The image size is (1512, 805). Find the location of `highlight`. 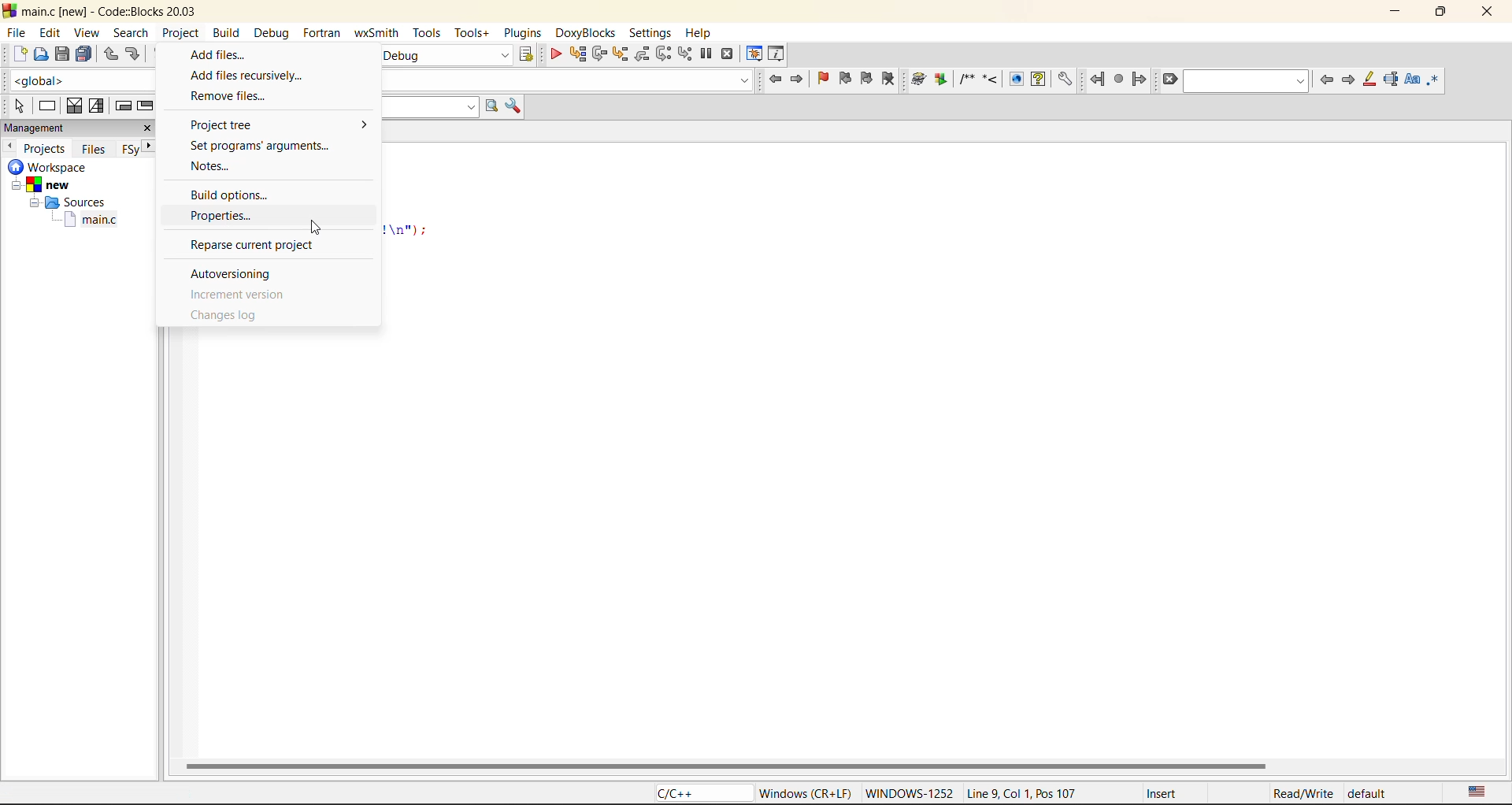

highlight is located at coordinates (1369, 80).